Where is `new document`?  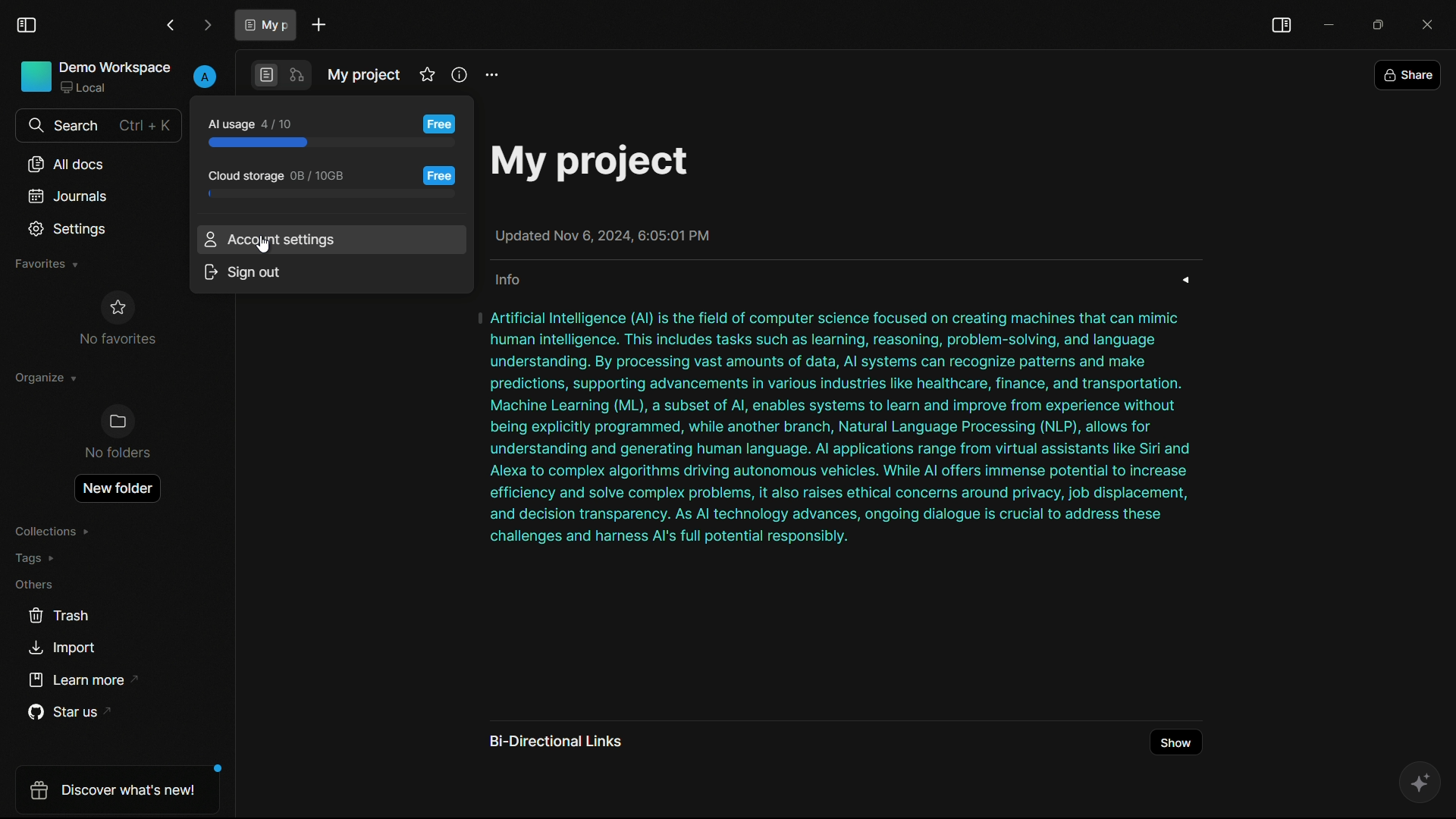
new document is located at coordinates (317, 24).